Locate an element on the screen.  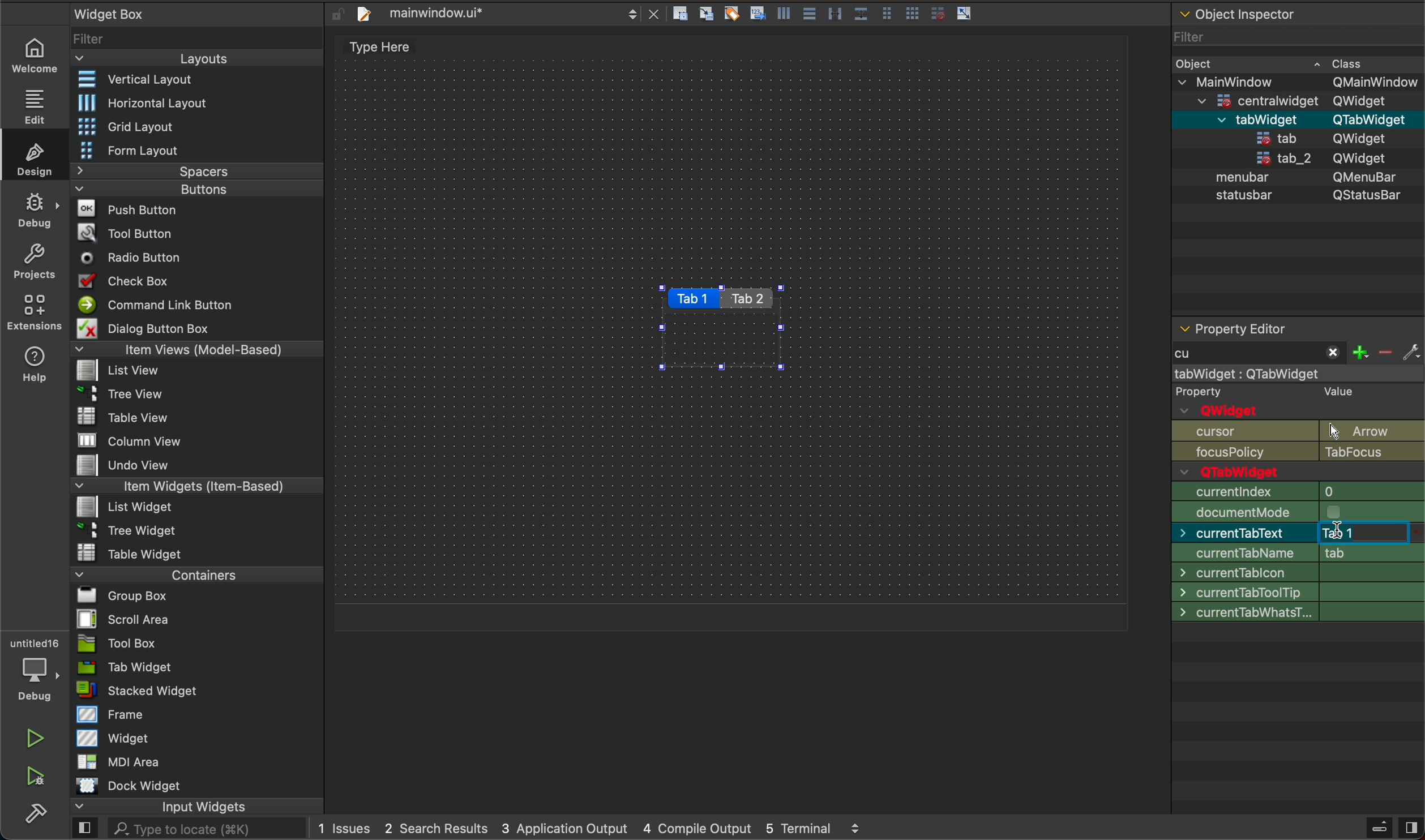
welcome is located at coordinates (32, 56).